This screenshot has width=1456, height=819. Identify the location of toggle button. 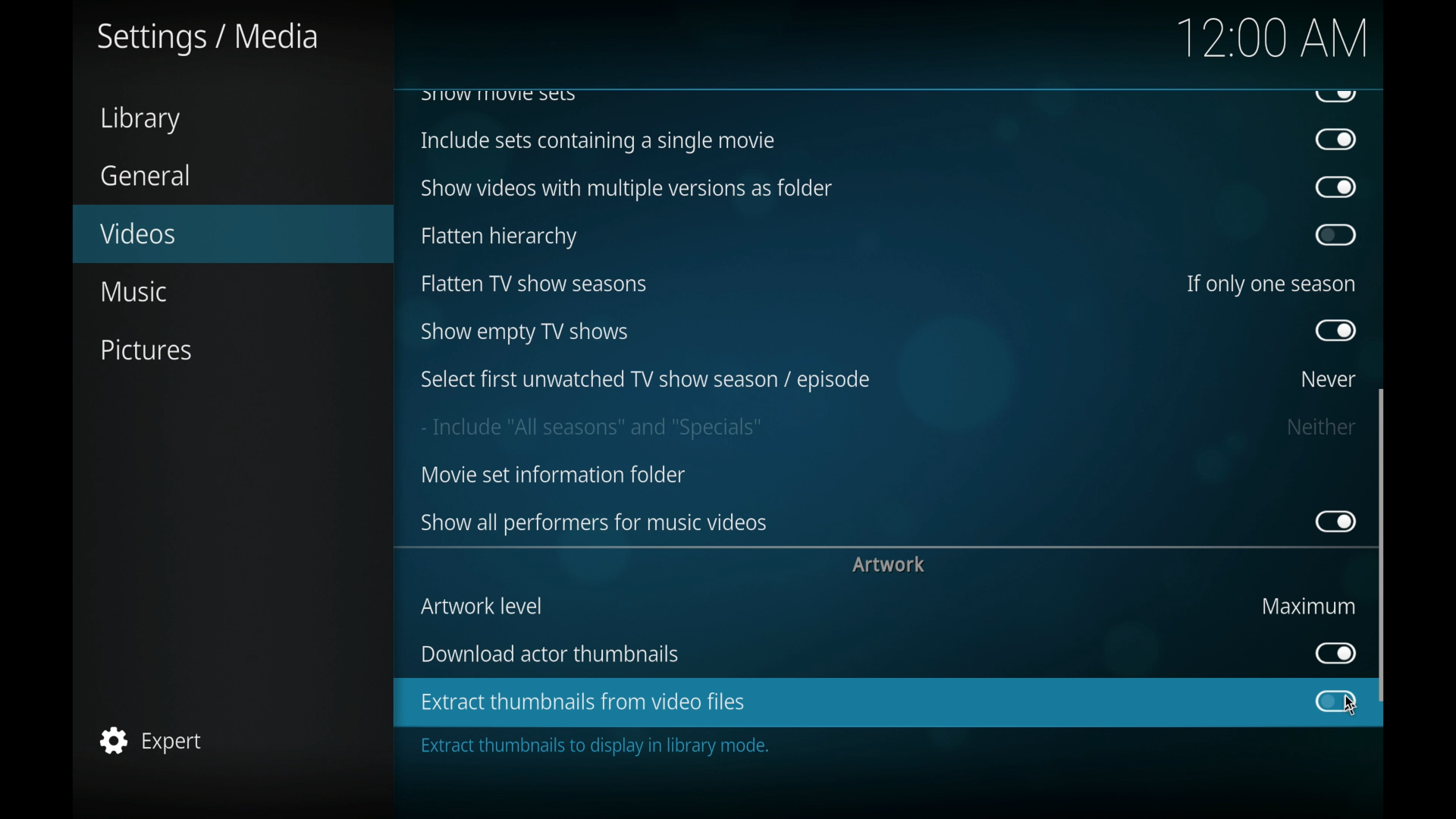
(1337, 189).